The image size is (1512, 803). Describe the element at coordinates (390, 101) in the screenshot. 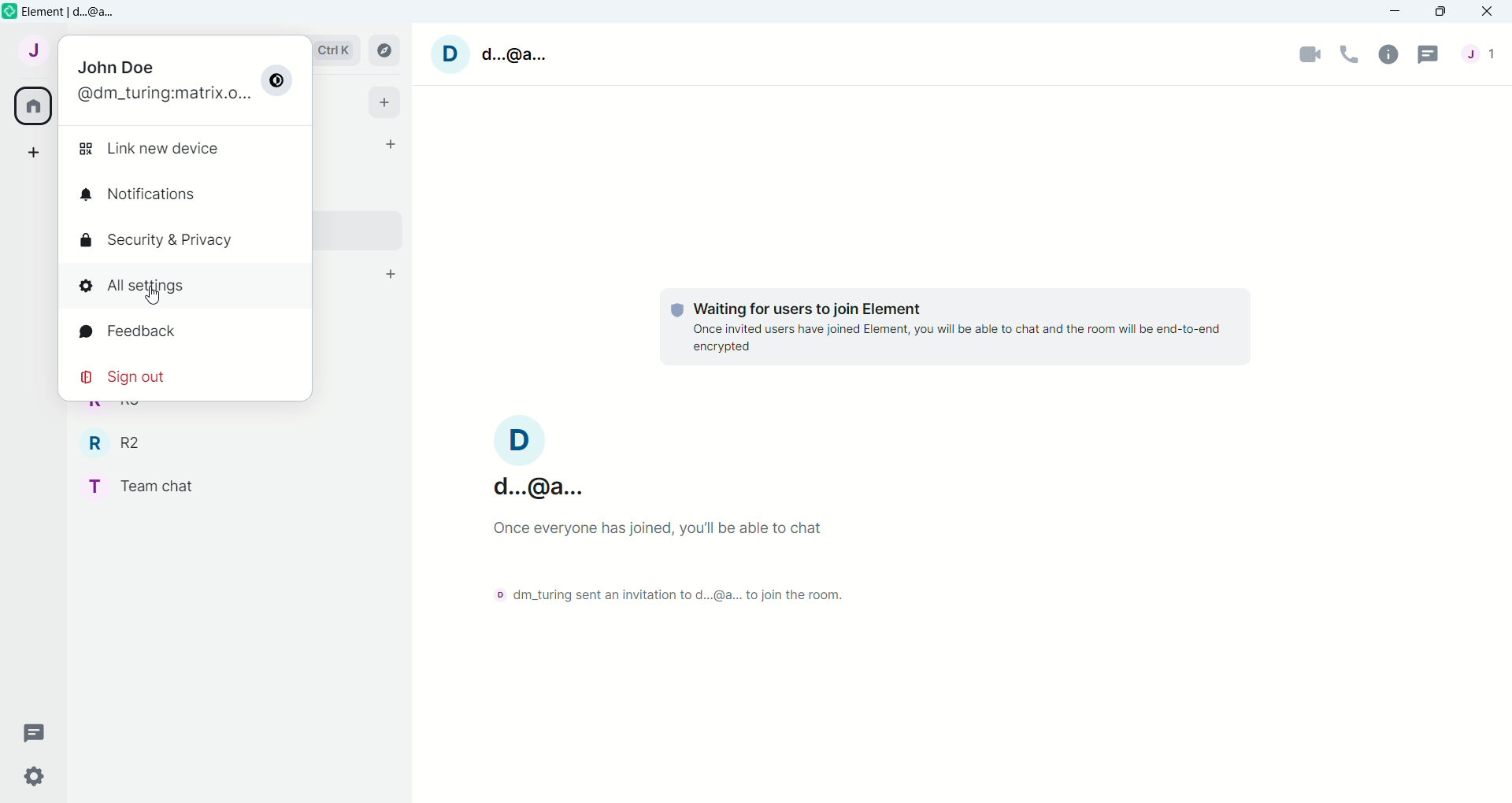

I see `Add` at that location.